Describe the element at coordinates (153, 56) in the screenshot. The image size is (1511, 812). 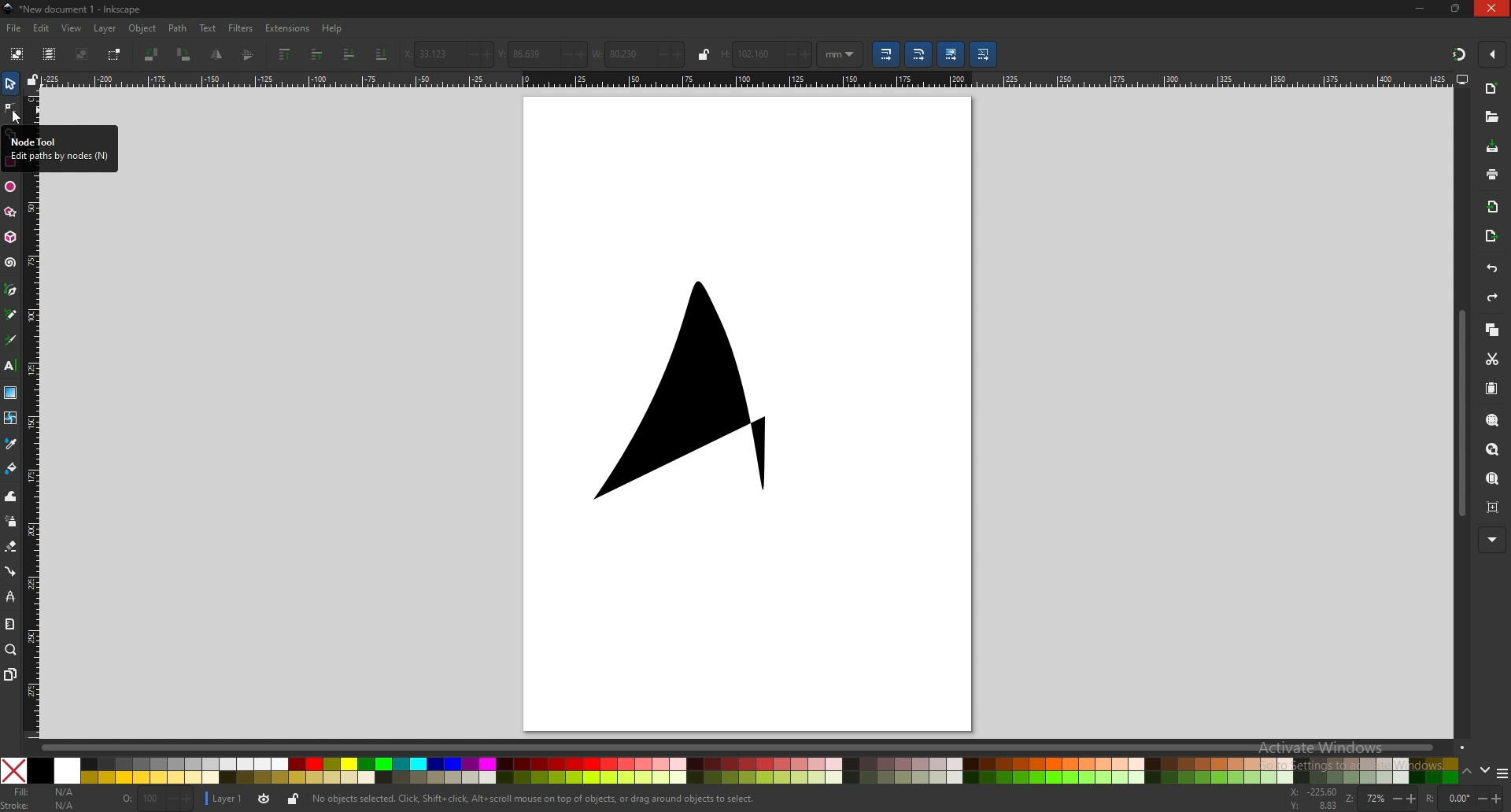
I see `rotate 90 degree ccw` at that location.